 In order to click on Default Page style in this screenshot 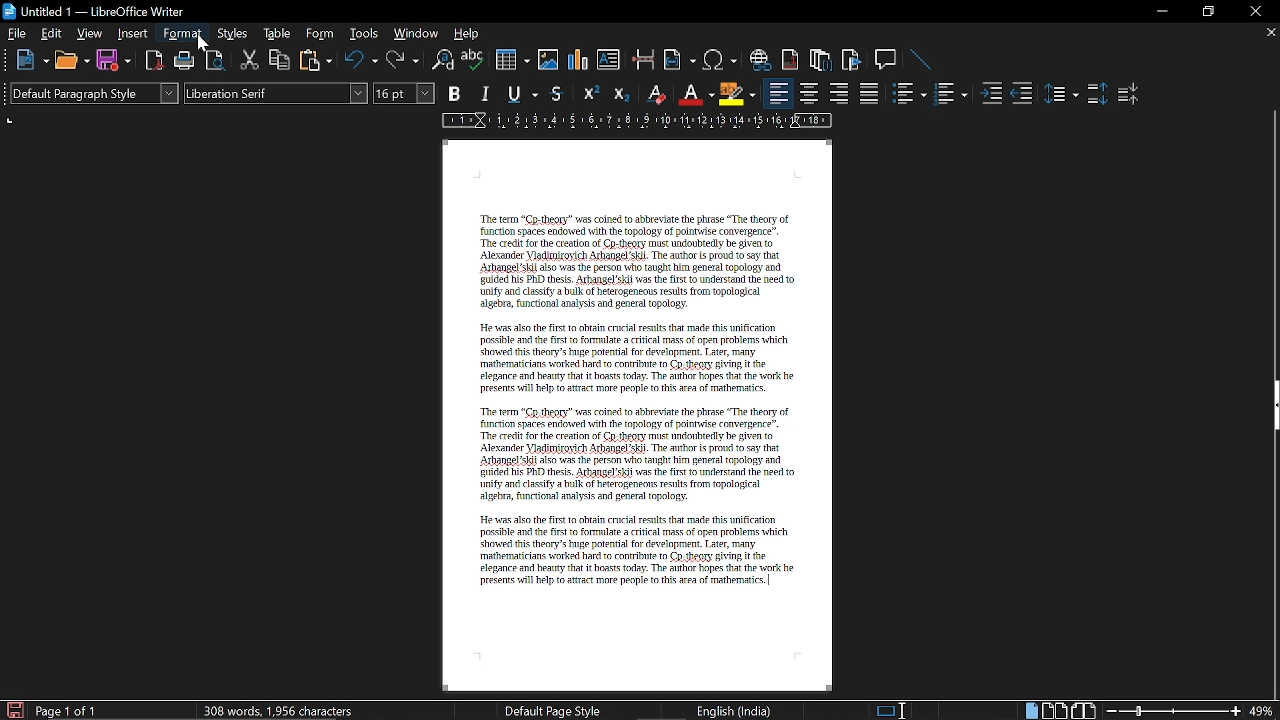, I will do `click(554, 710)`.